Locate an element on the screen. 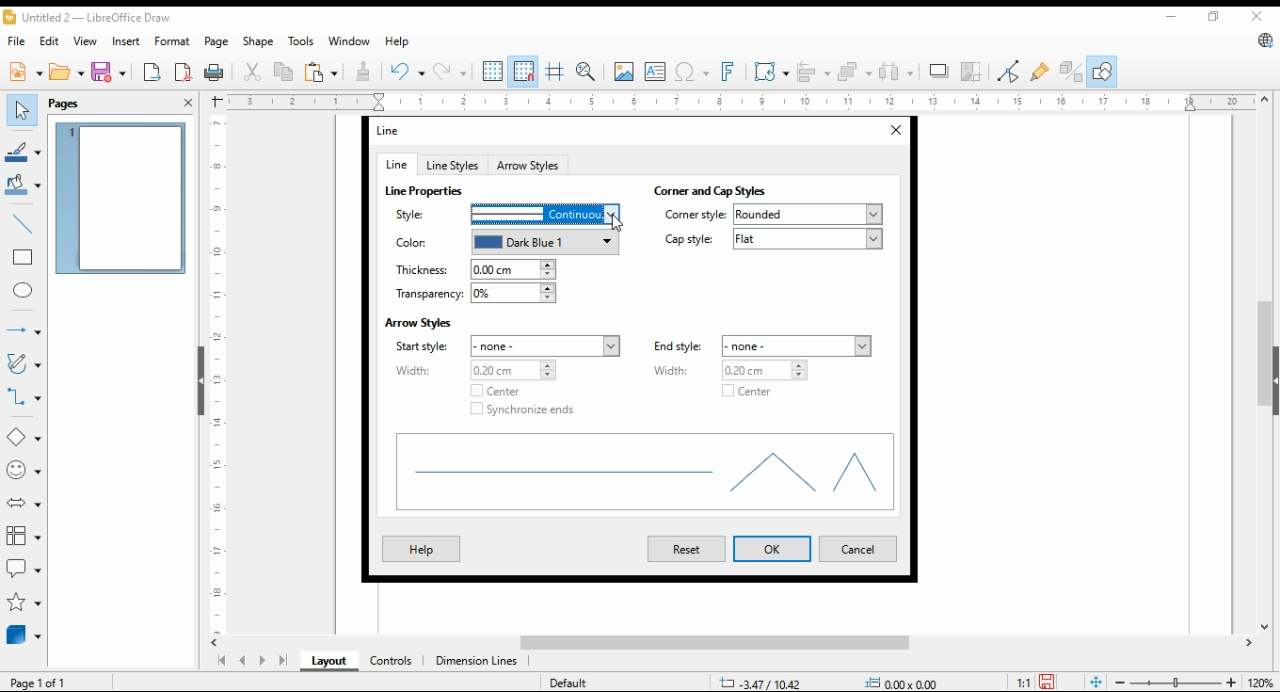 This screenshot has height=692, width=1280. corner cap style is located at coordinates (717, 191).